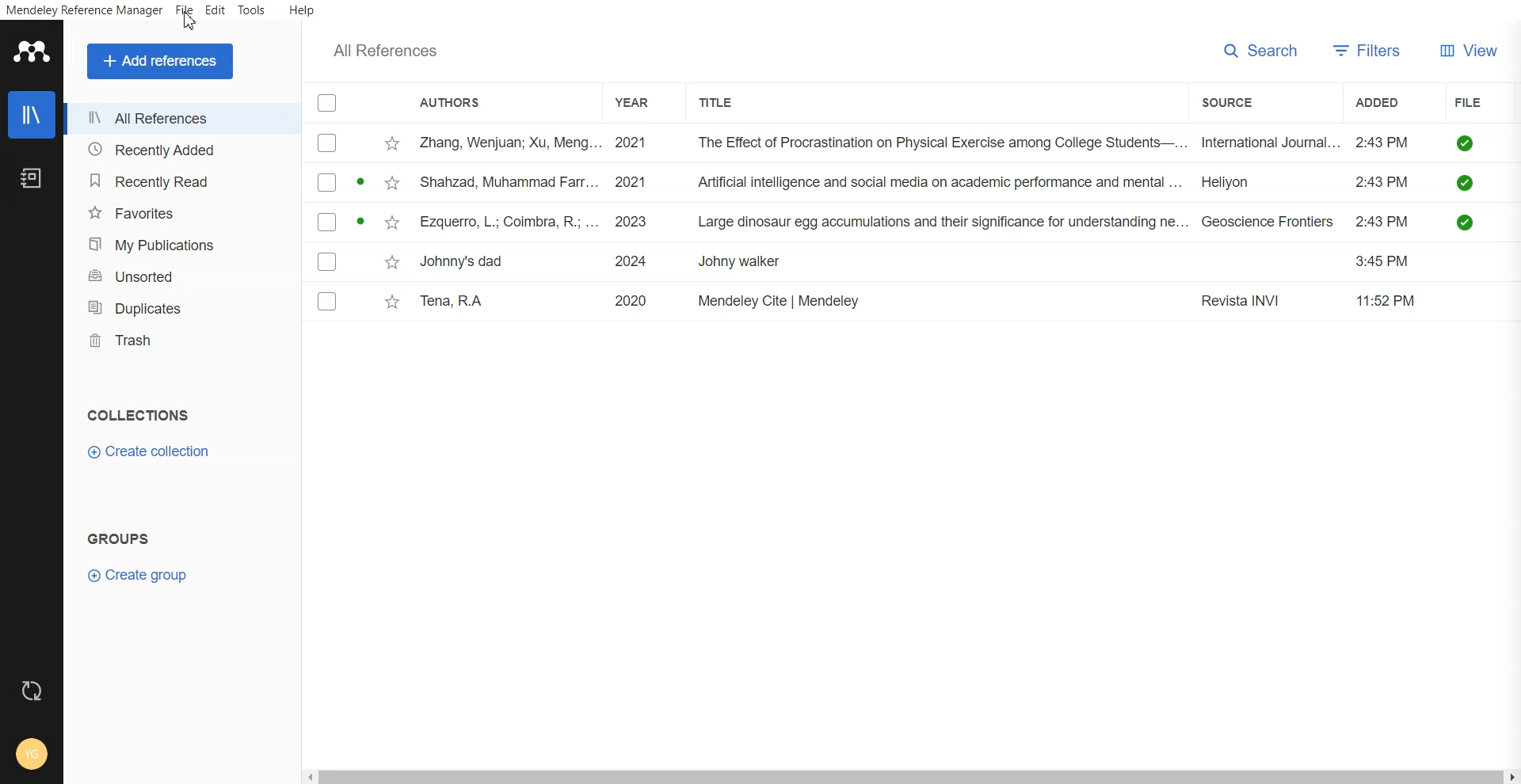  Describe the element at coordinates (943, 223) in the screenshot. I see `Large dinosaur egg accumulations and their significance for understanding ne...` at that location.